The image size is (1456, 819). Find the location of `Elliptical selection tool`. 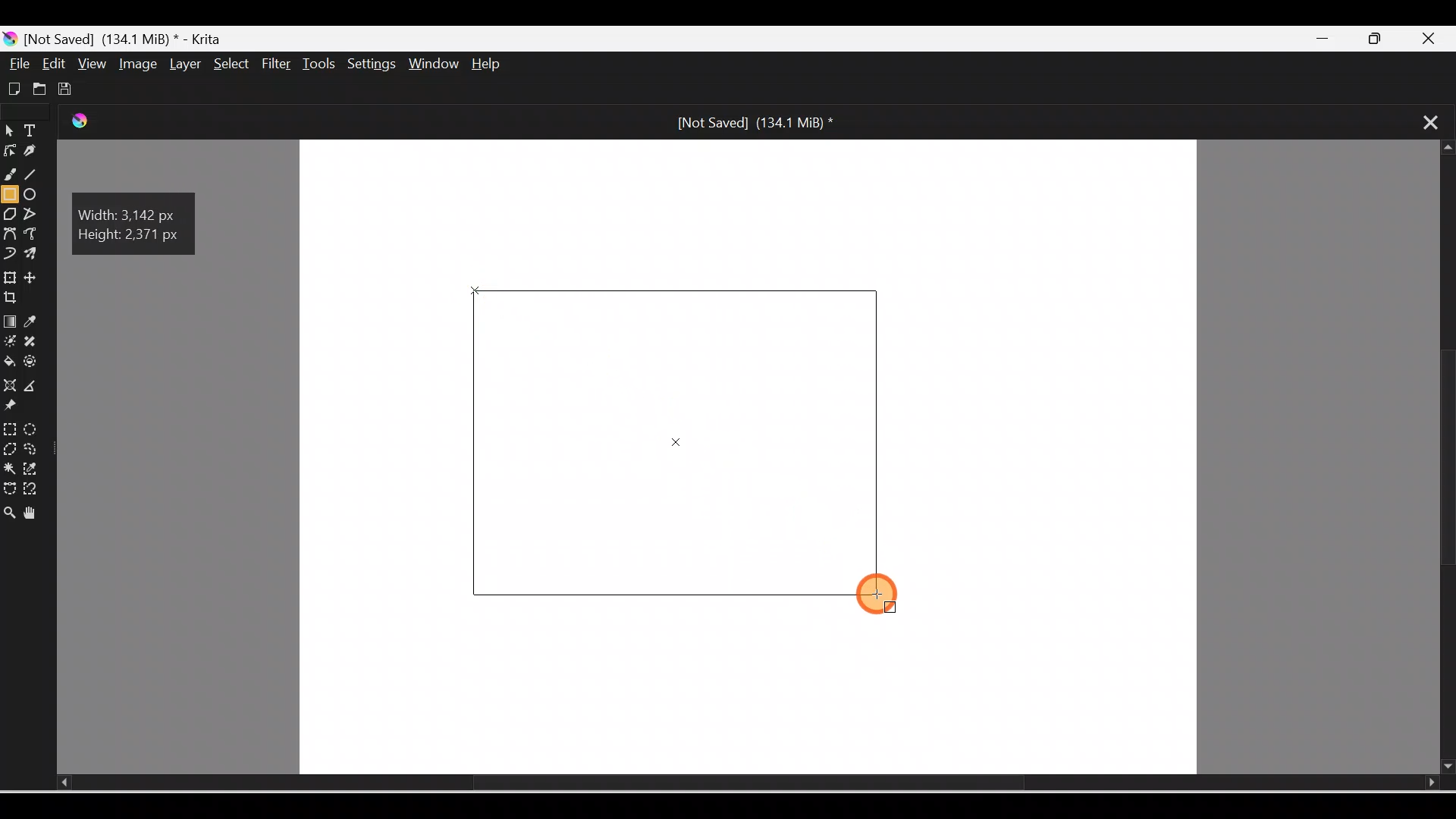

Elliptical selection tool is located at coordinates (31, 427).